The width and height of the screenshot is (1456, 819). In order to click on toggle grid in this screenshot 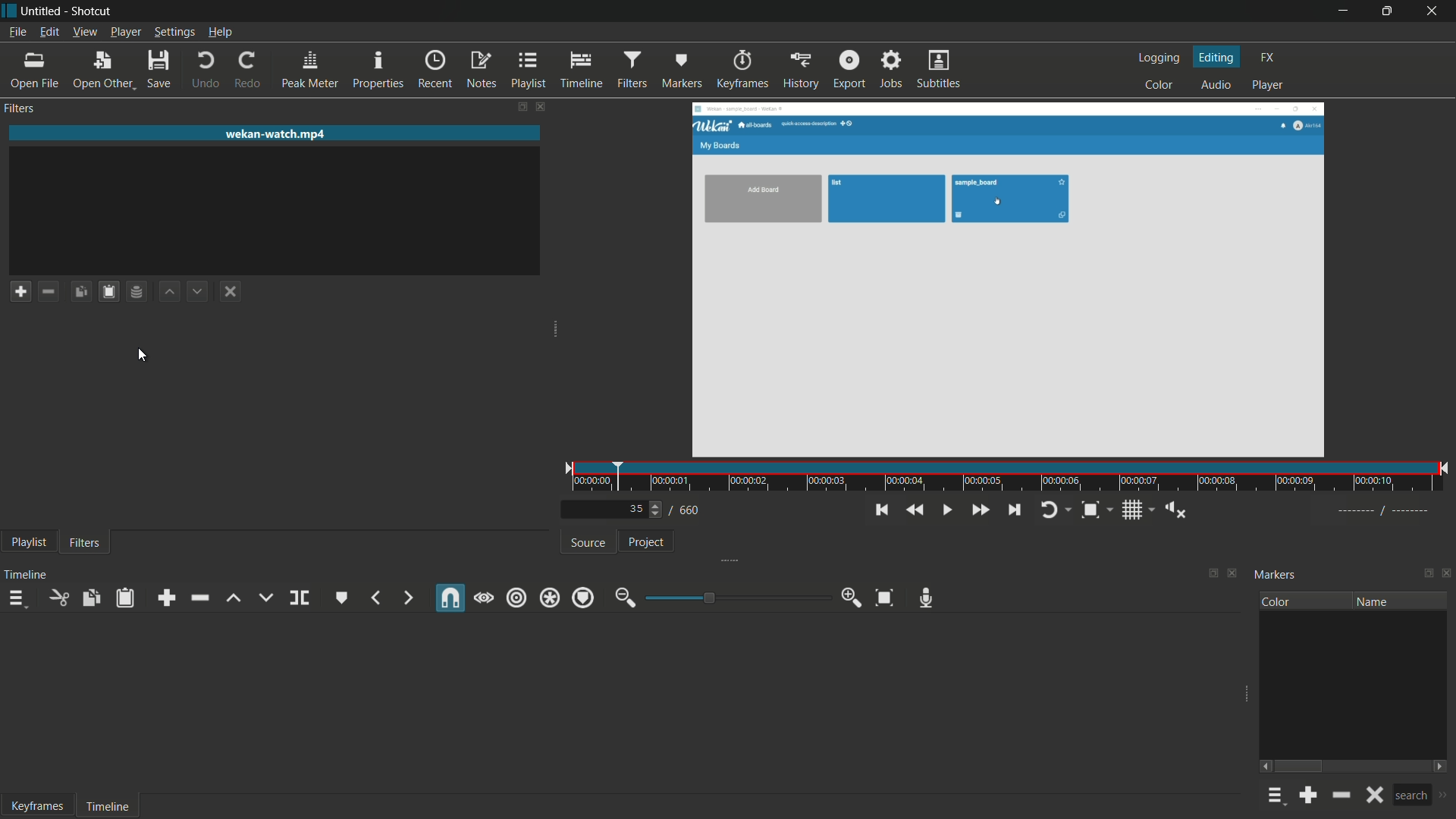, I will do `click(1134, 512)`.